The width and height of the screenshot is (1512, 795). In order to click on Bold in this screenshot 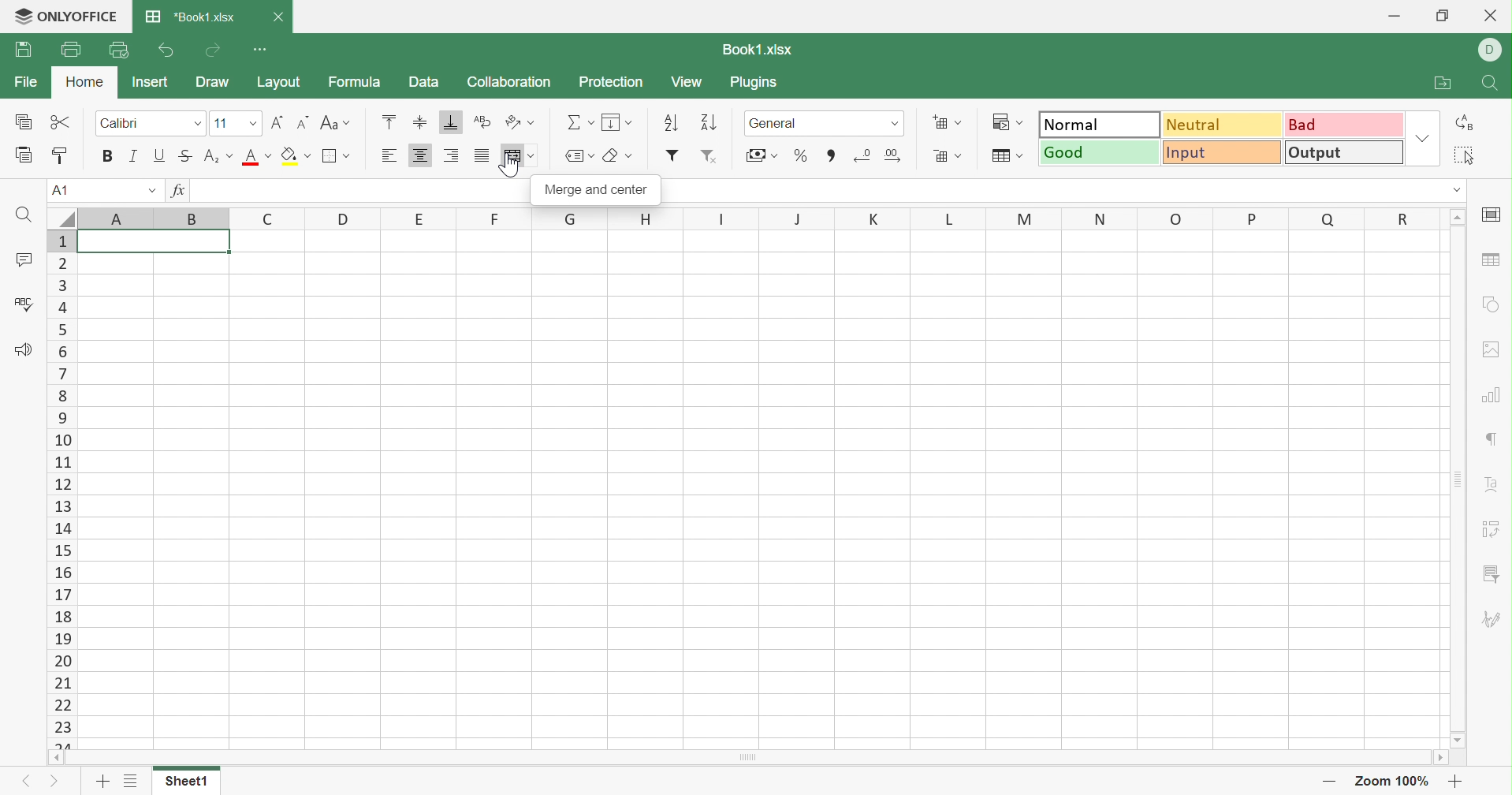, I will do `click(106, 156)`.